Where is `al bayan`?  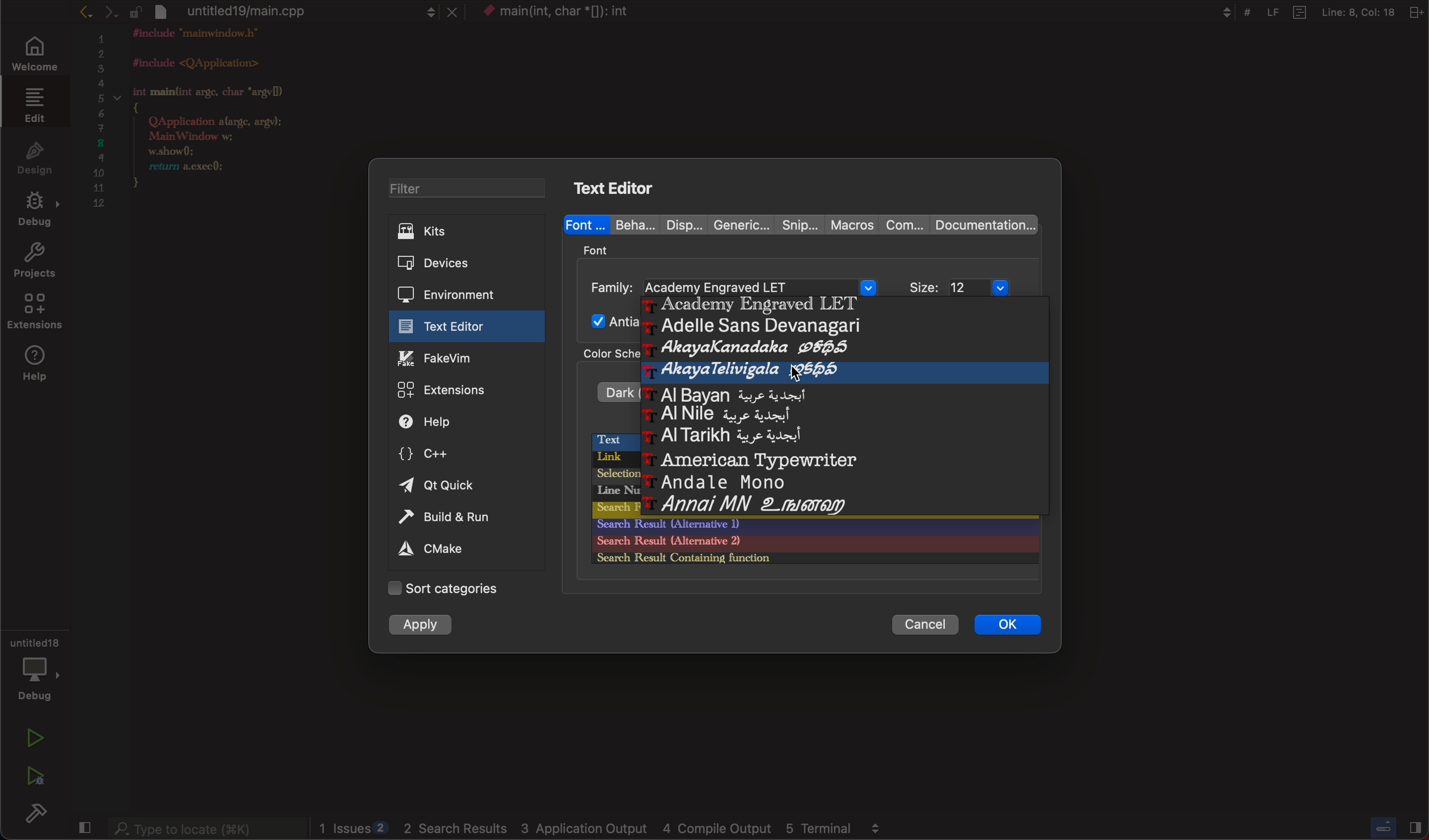
al bayan is located at coordinates (713, 392).